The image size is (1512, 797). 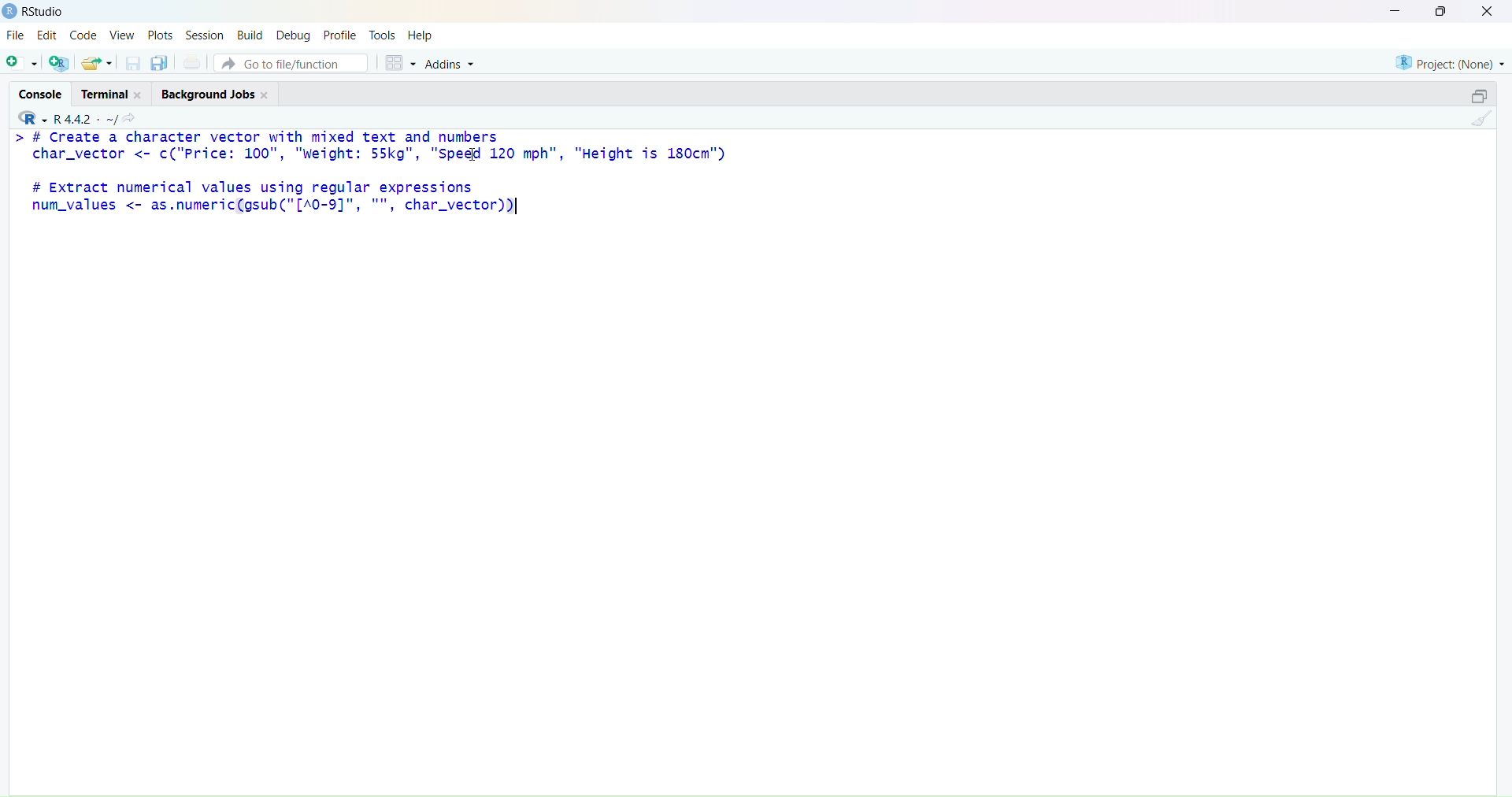 What do you see at coordinates (1440, 11) in the screenshot?
I see `maiximise` at bounding box center [1440, 11].